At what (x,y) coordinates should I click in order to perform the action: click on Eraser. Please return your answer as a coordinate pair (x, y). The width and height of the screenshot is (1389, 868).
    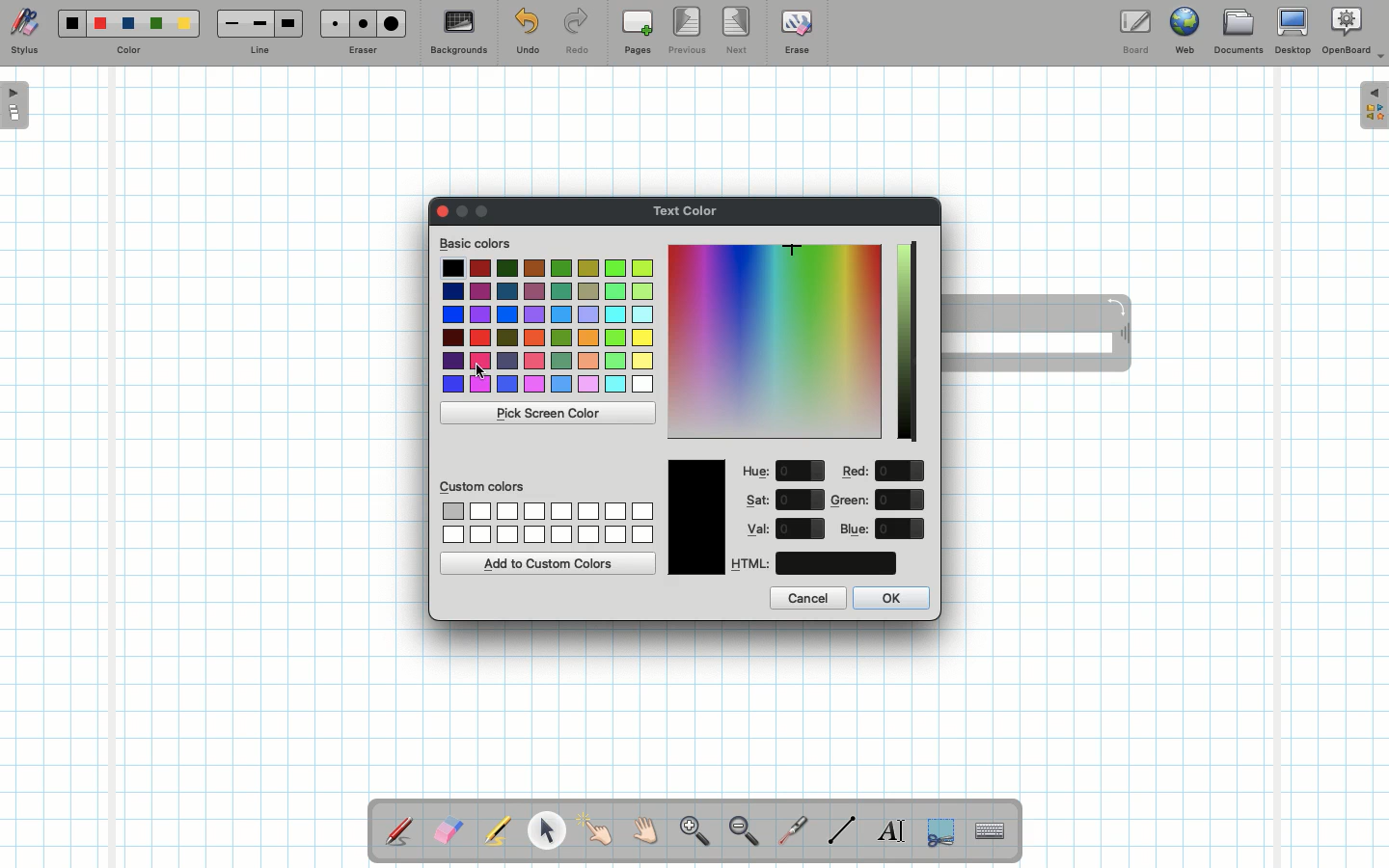
    Looking at the image, I should click on (362, 52).